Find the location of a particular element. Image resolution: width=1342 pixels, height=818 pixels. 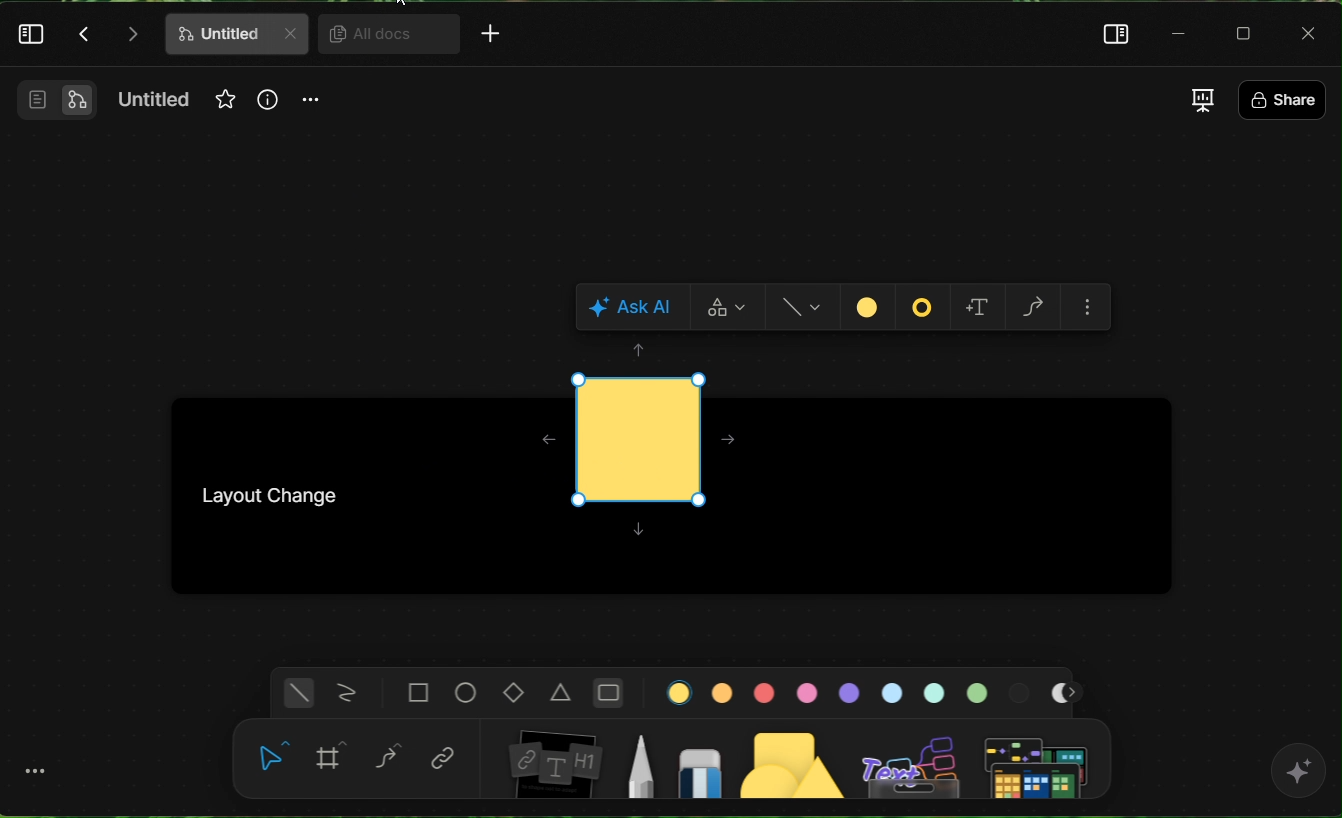

info is located at coordinates (266, 109).